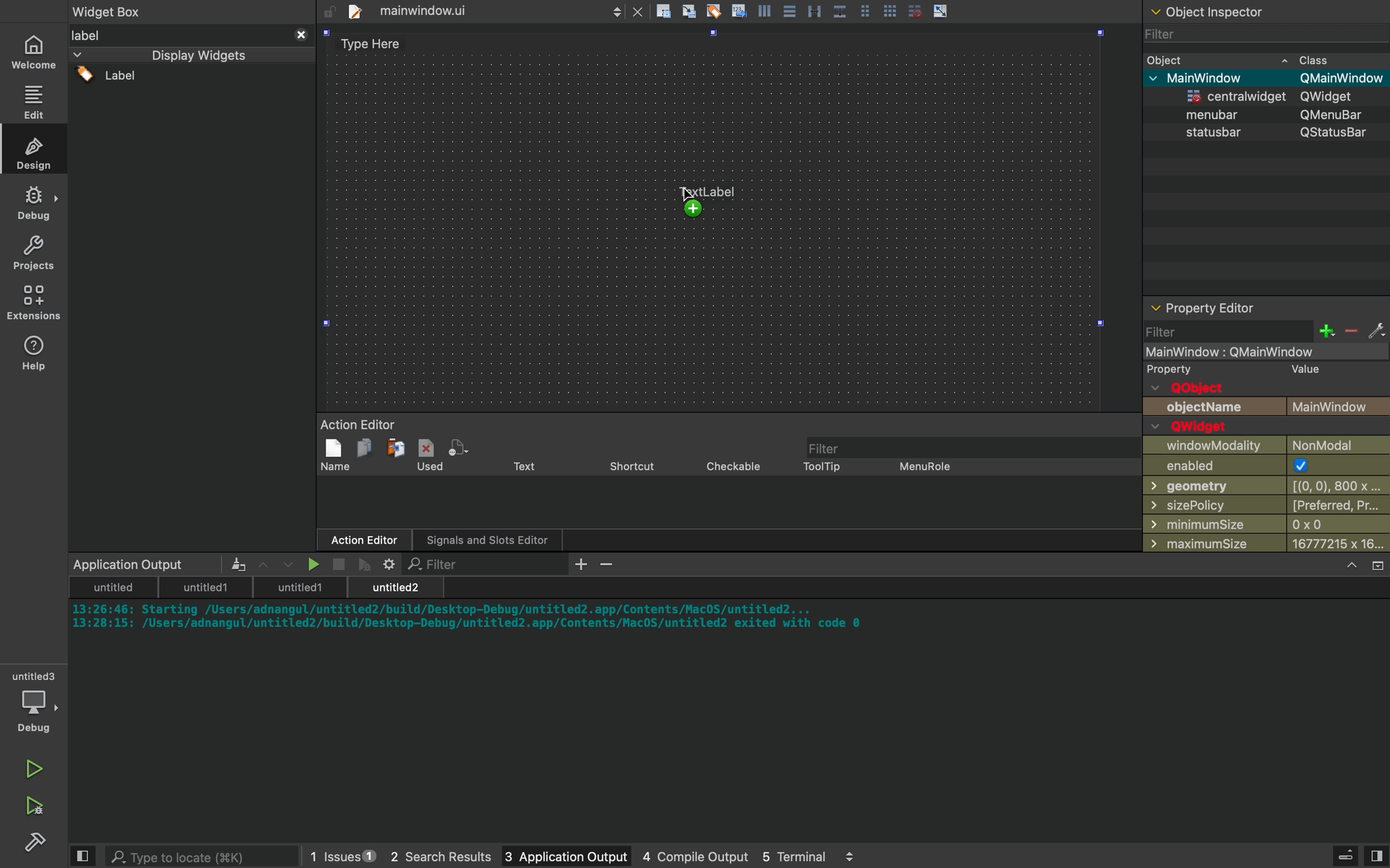 This screenshot has width=1390, height=868. I want to click on widget, so click(124, 13).